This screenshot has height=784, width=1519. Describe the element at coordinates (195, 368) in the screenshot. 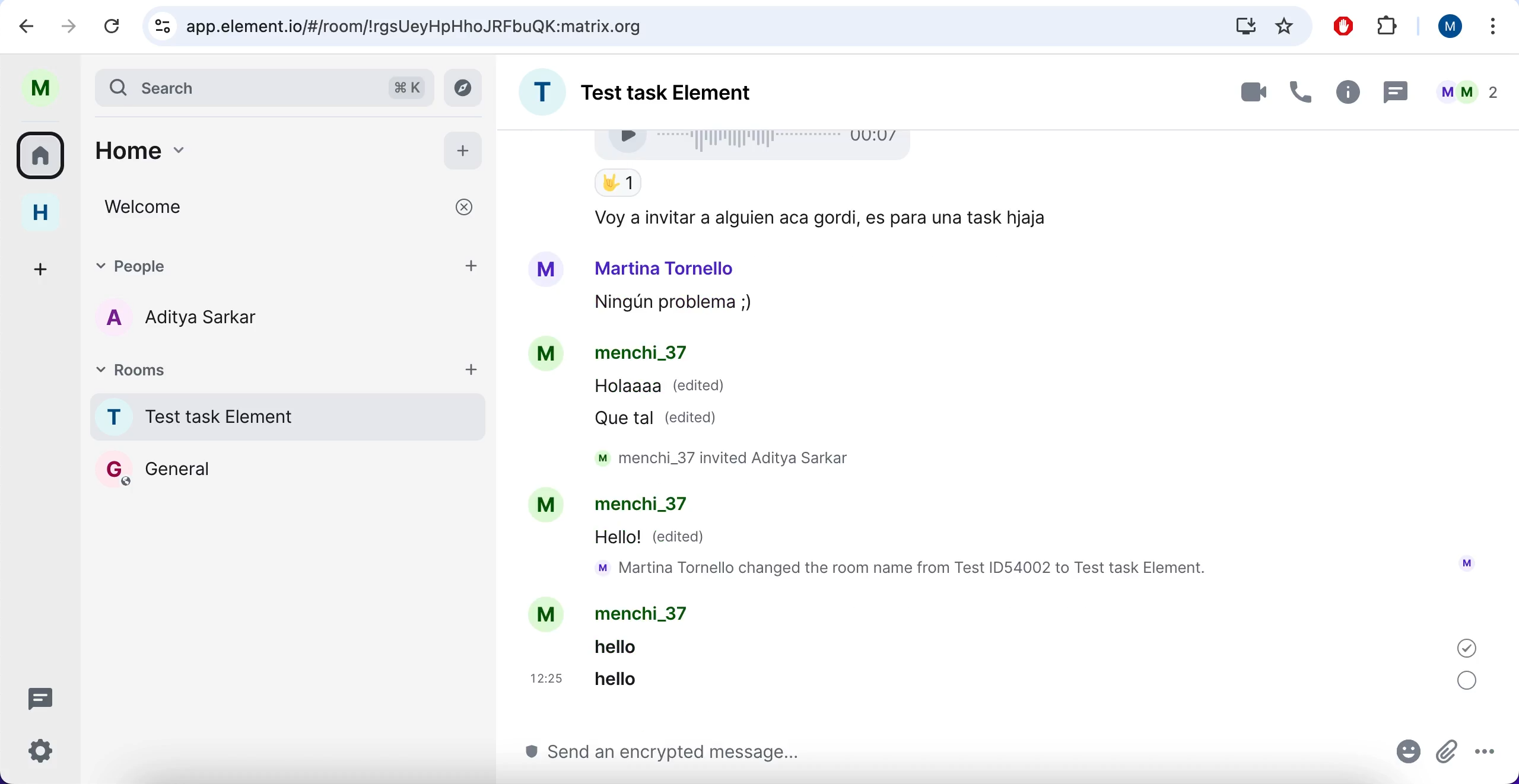

I see `rooms` at that location.